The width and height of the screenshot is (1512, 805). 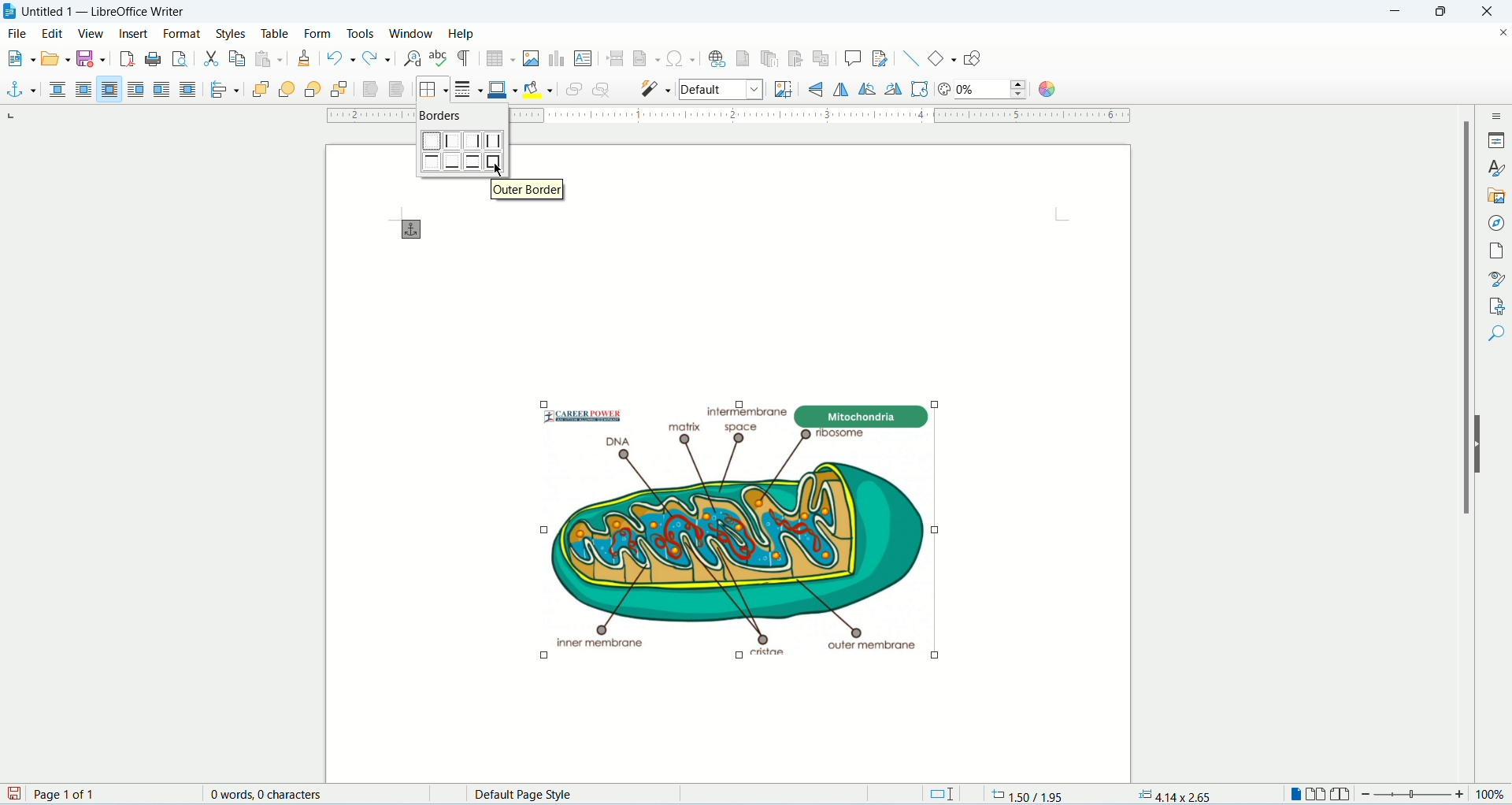 What do you see at coordinates (722, 91) in the screenshot?
I see `image mode` at bounding box center [722, 91].